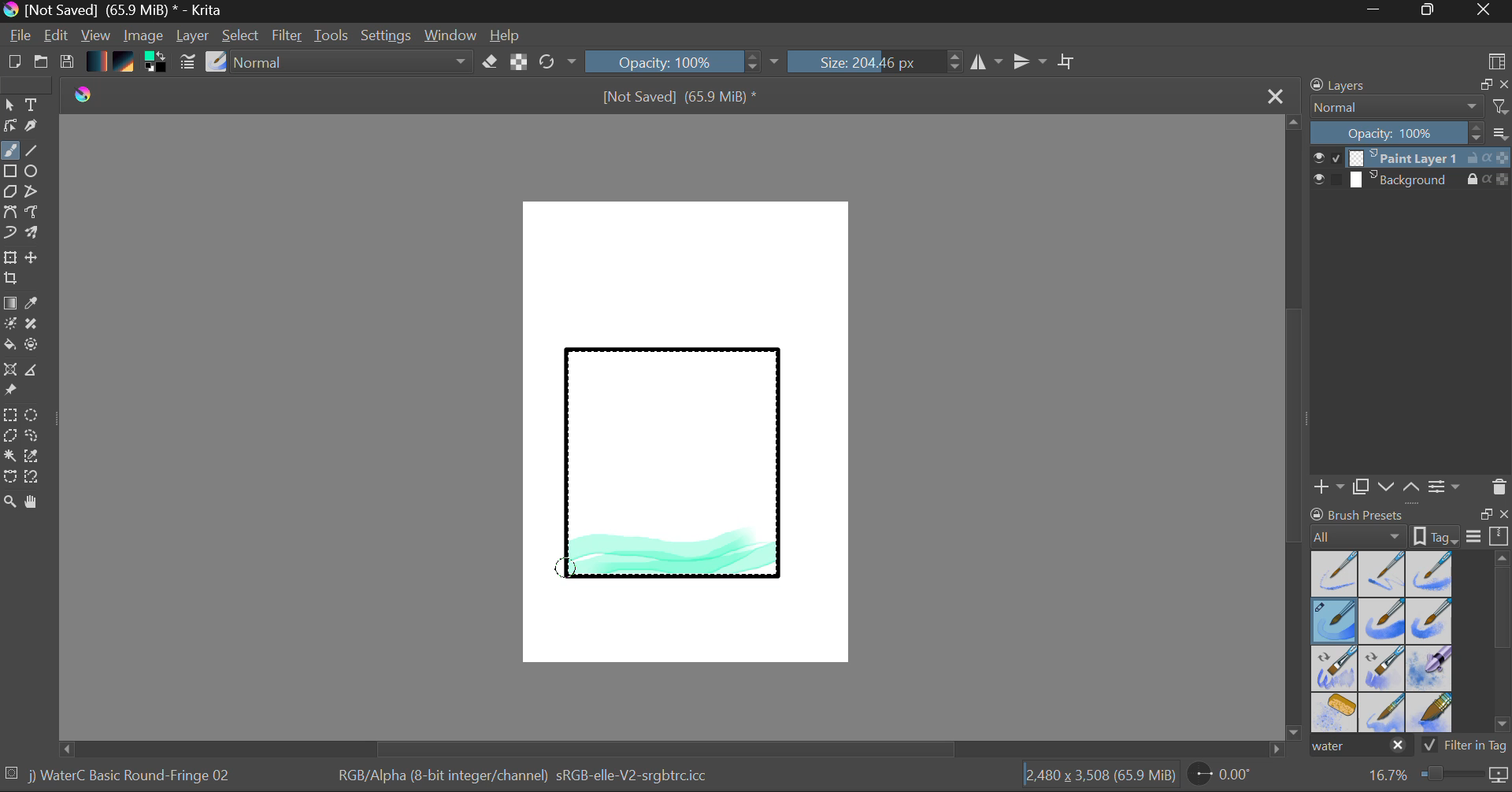 The image size is (1512, 792). Describe the element at coordinates (9, 233) in the screenshot. I see `Dynamic Brush` at that location.